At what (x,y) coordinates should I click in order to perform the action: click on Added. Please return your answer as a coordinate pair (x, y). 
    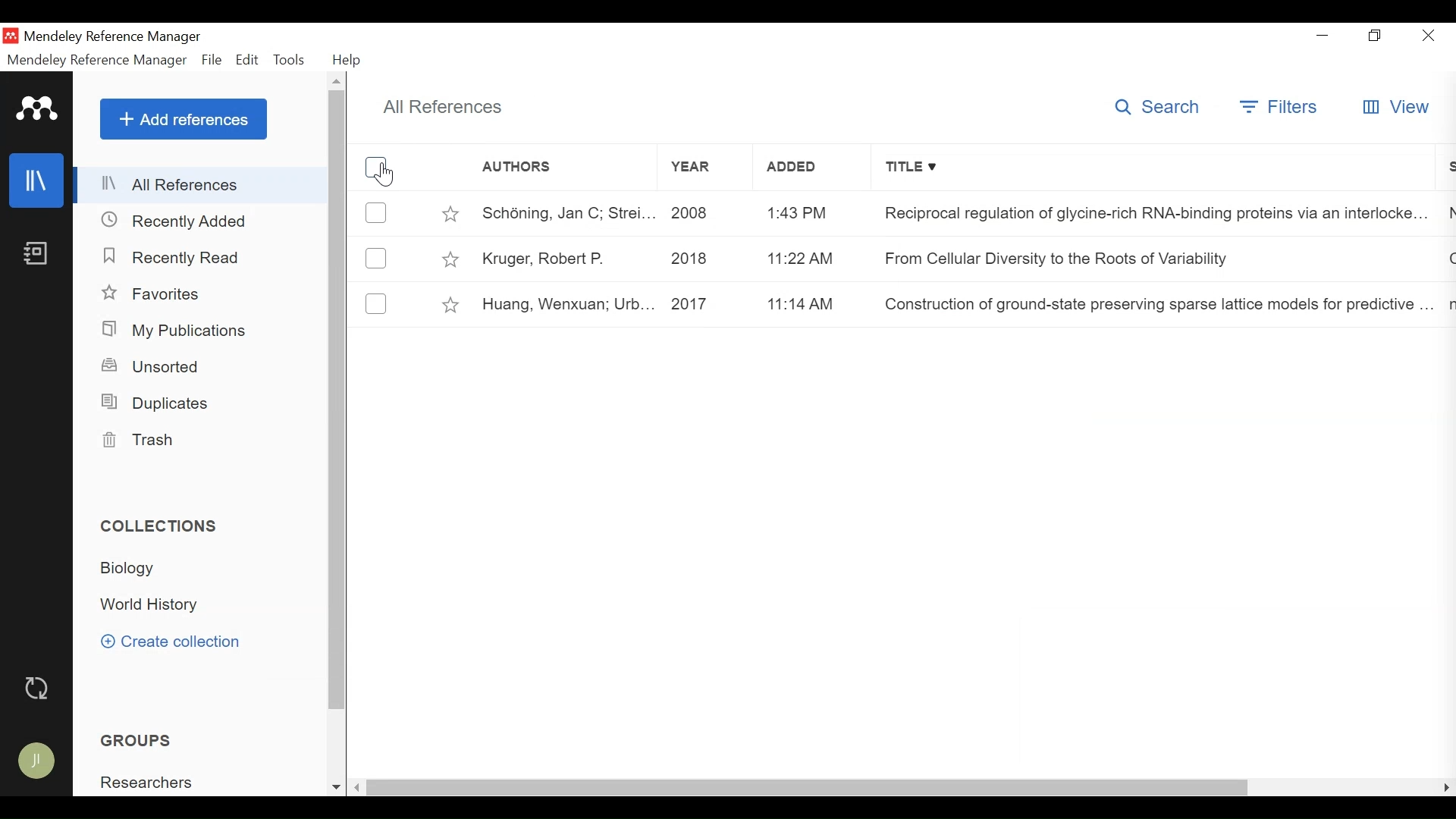
    Looking at the image, I should click on (803, 170).